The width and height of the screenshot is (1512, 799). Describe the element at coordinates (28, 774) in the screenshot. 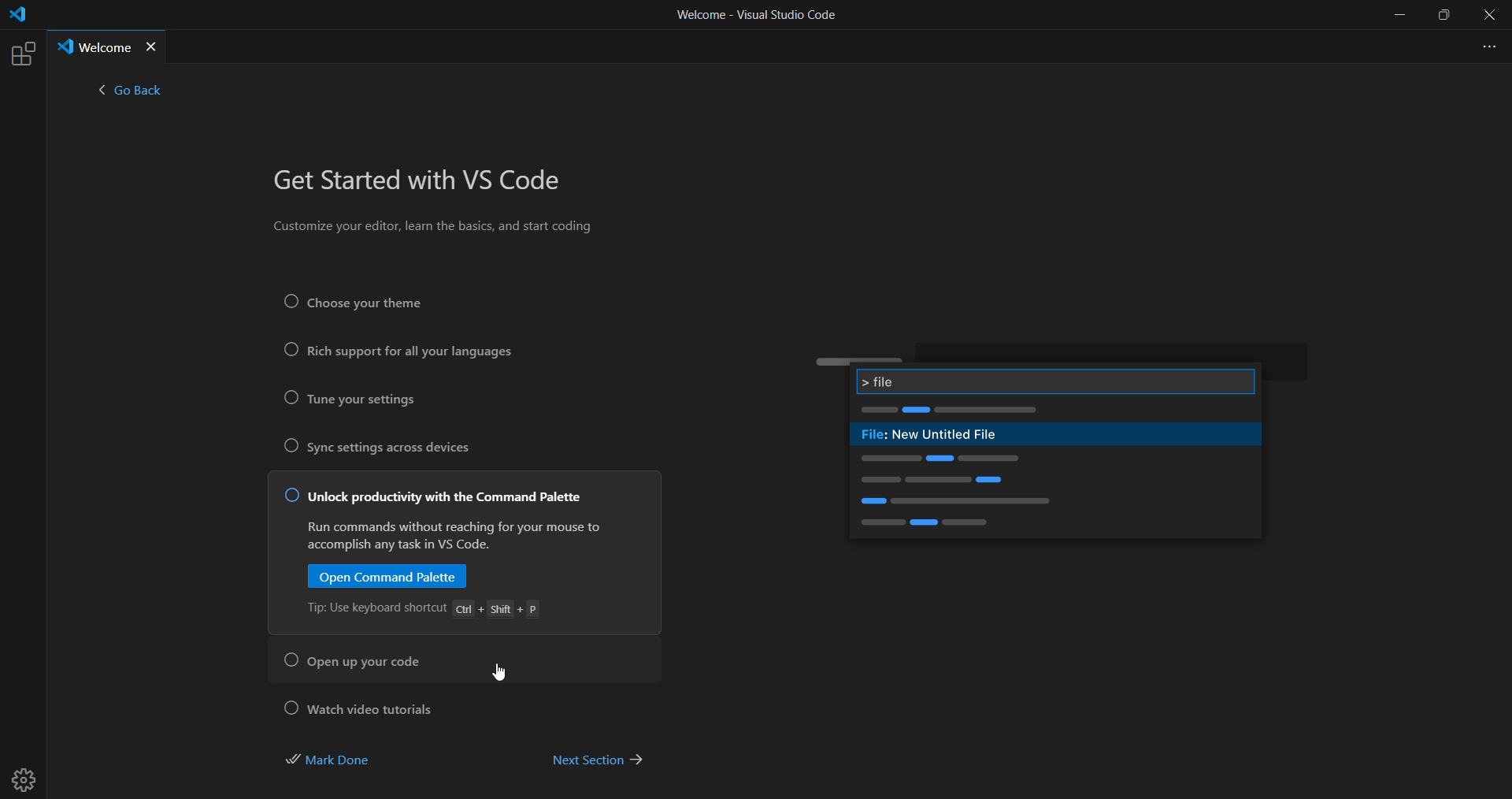

I see `settings` at that location.